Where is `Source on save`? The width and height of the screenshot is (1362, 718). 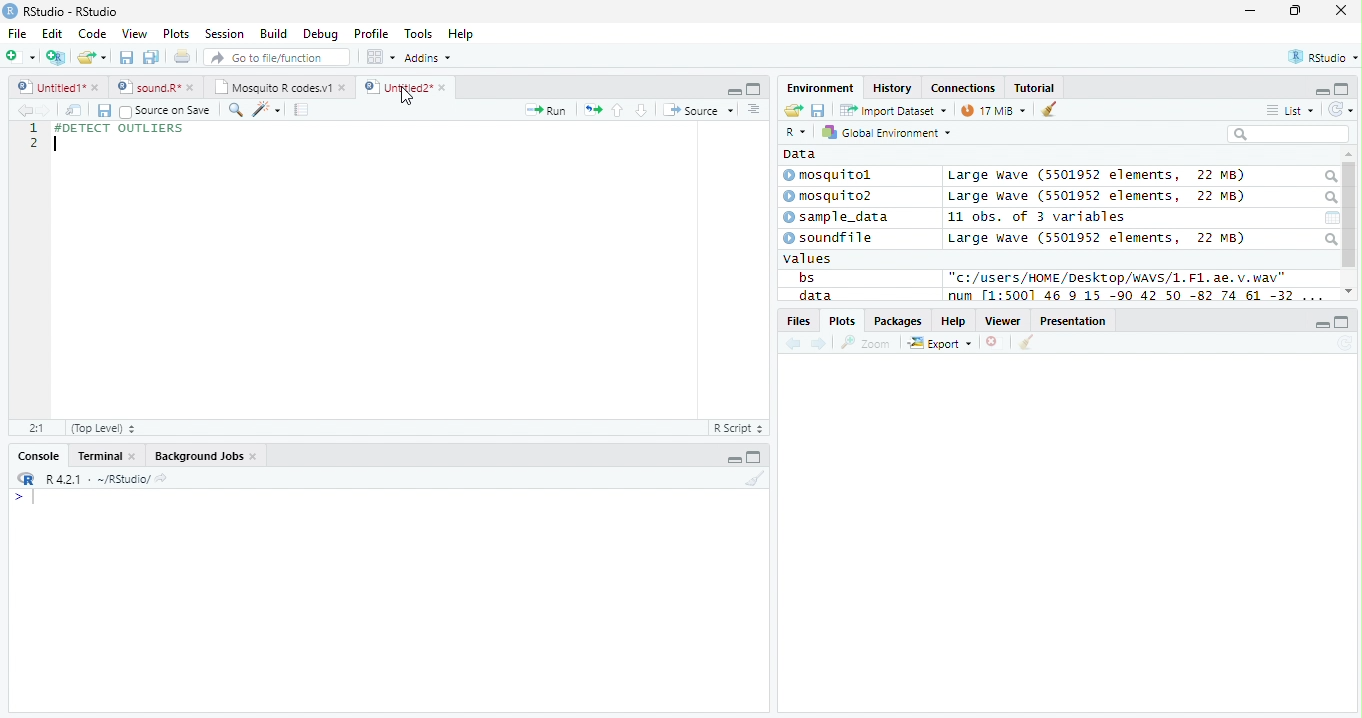
Source on save is located at coordinates (165, 112).